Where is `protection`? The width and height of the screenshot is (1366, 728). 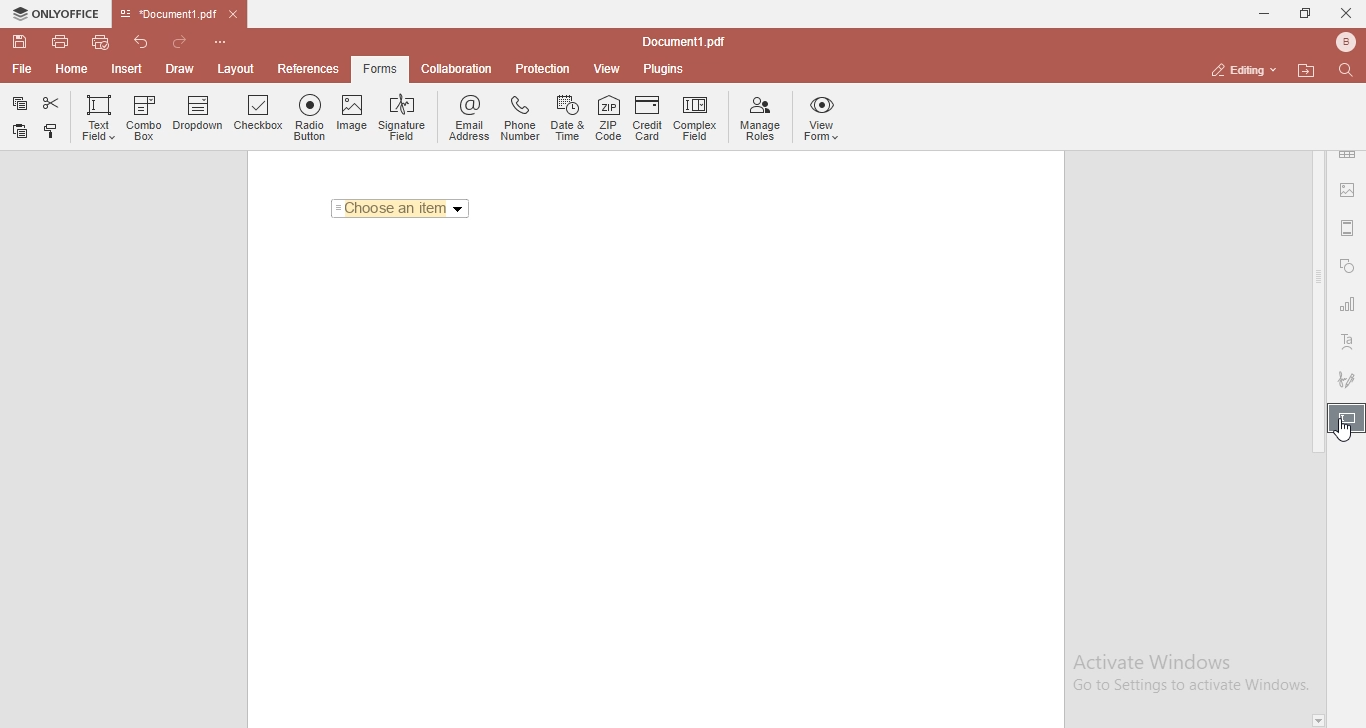
protection is located at coordinates (543, 68).